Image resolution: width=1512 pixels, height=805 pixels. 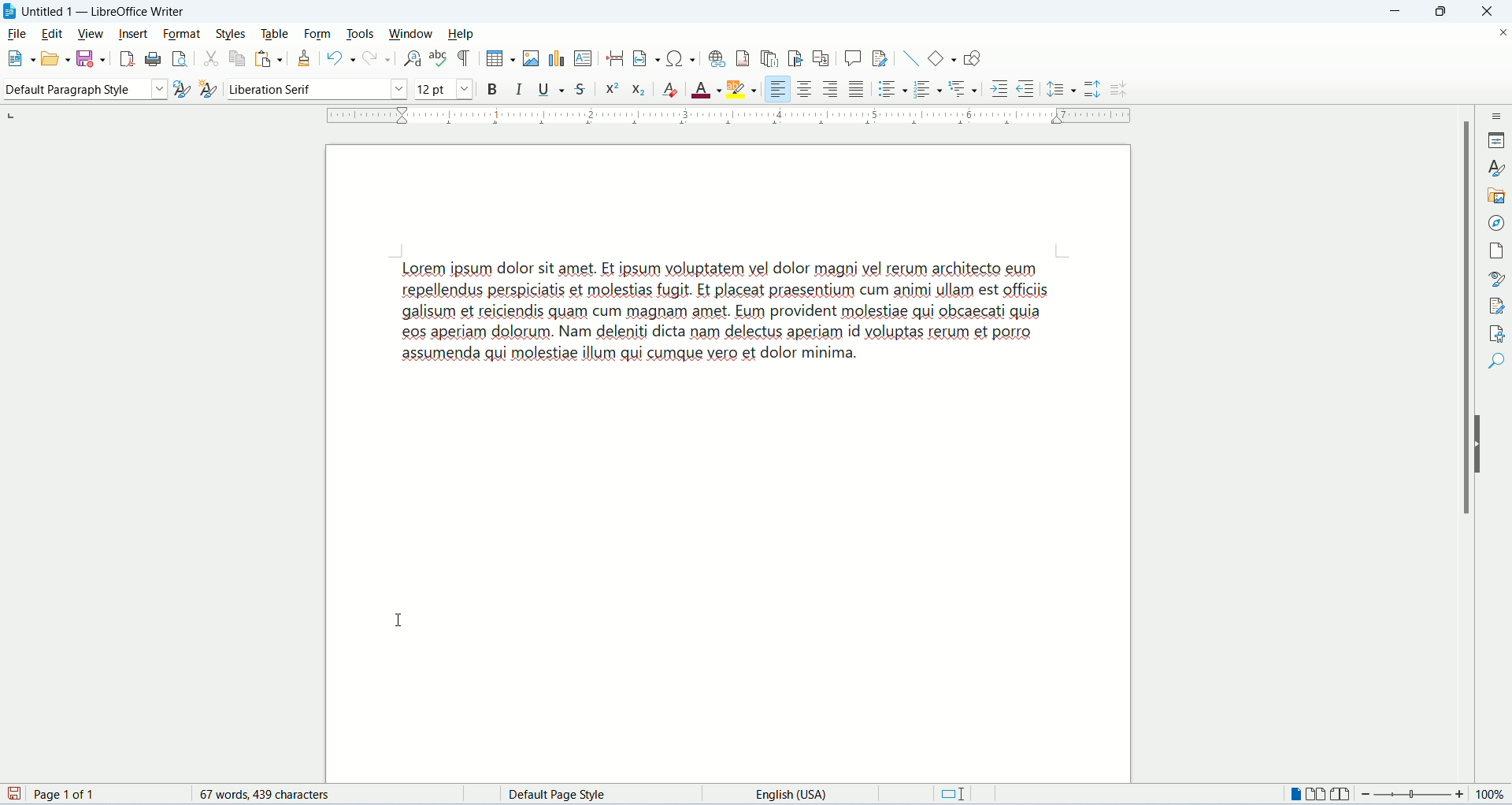 I want to click on Untitled 1 - LibreOffice Writer, so click(x=102, y=11).